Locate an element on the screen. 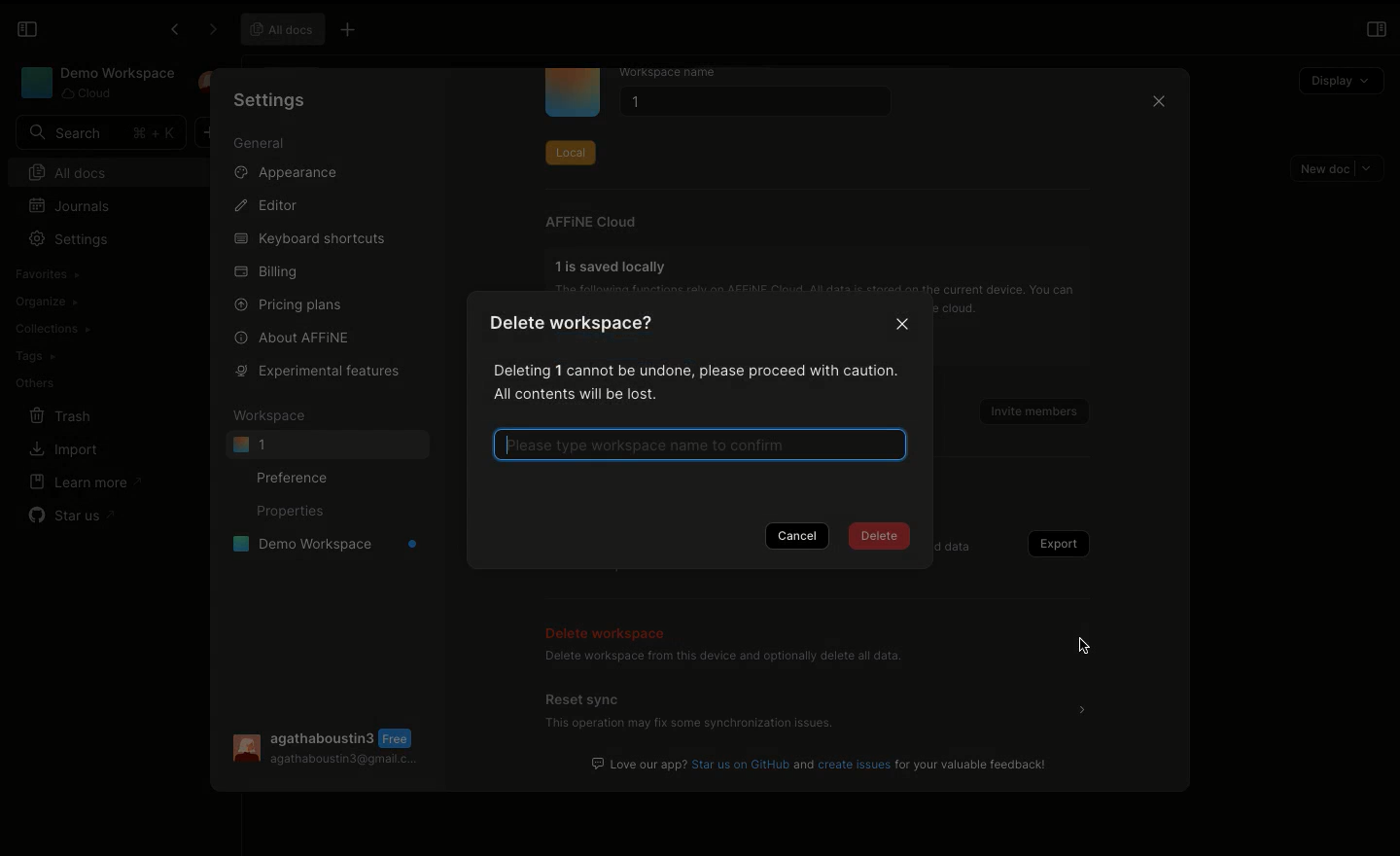 The width and height of the screenshot is (1400, 856). Export is located at coordinates (1054, 544).